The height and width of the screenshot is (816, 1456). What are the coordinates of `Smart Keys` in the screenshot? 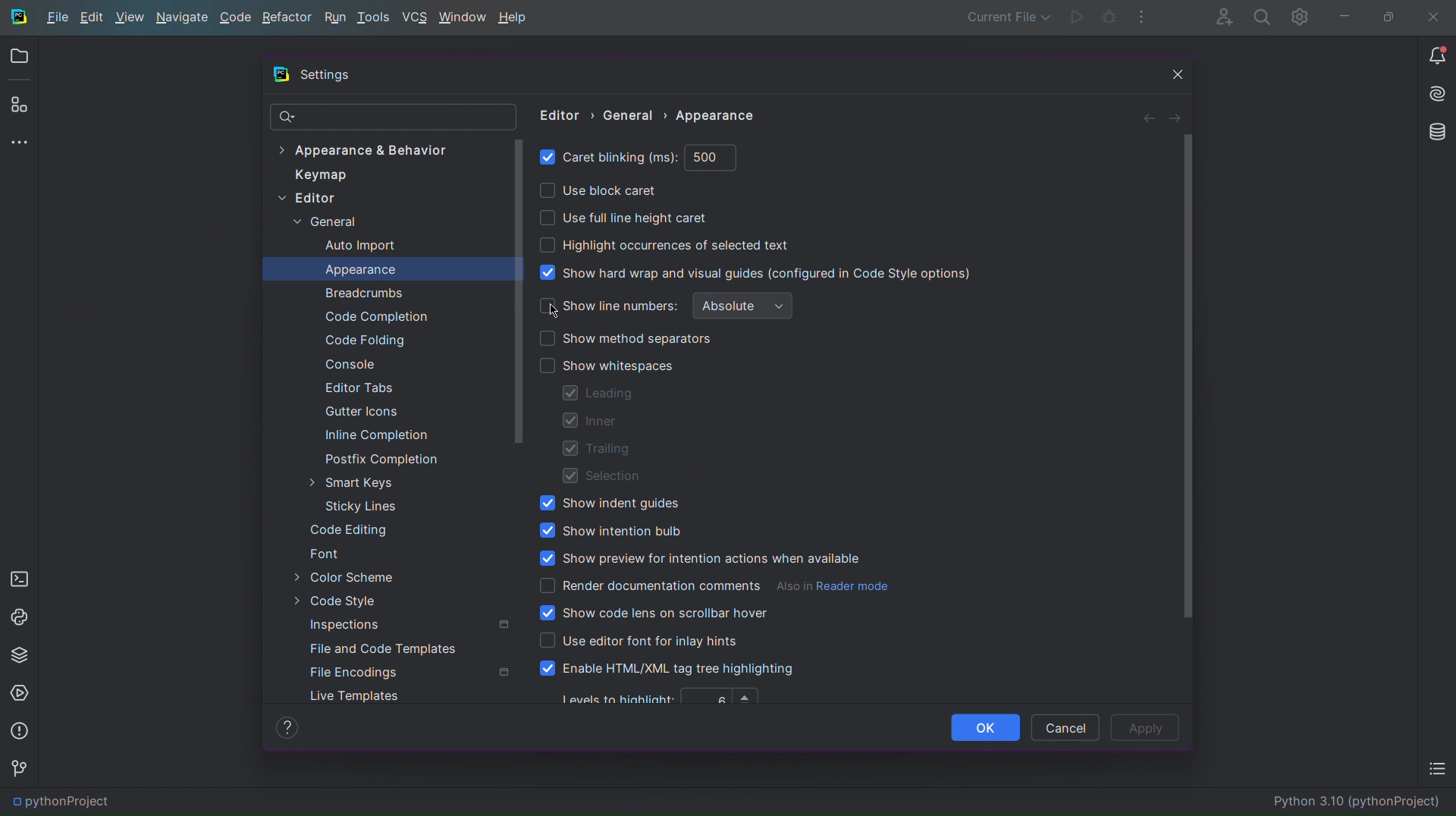 It's located at (354, 482).